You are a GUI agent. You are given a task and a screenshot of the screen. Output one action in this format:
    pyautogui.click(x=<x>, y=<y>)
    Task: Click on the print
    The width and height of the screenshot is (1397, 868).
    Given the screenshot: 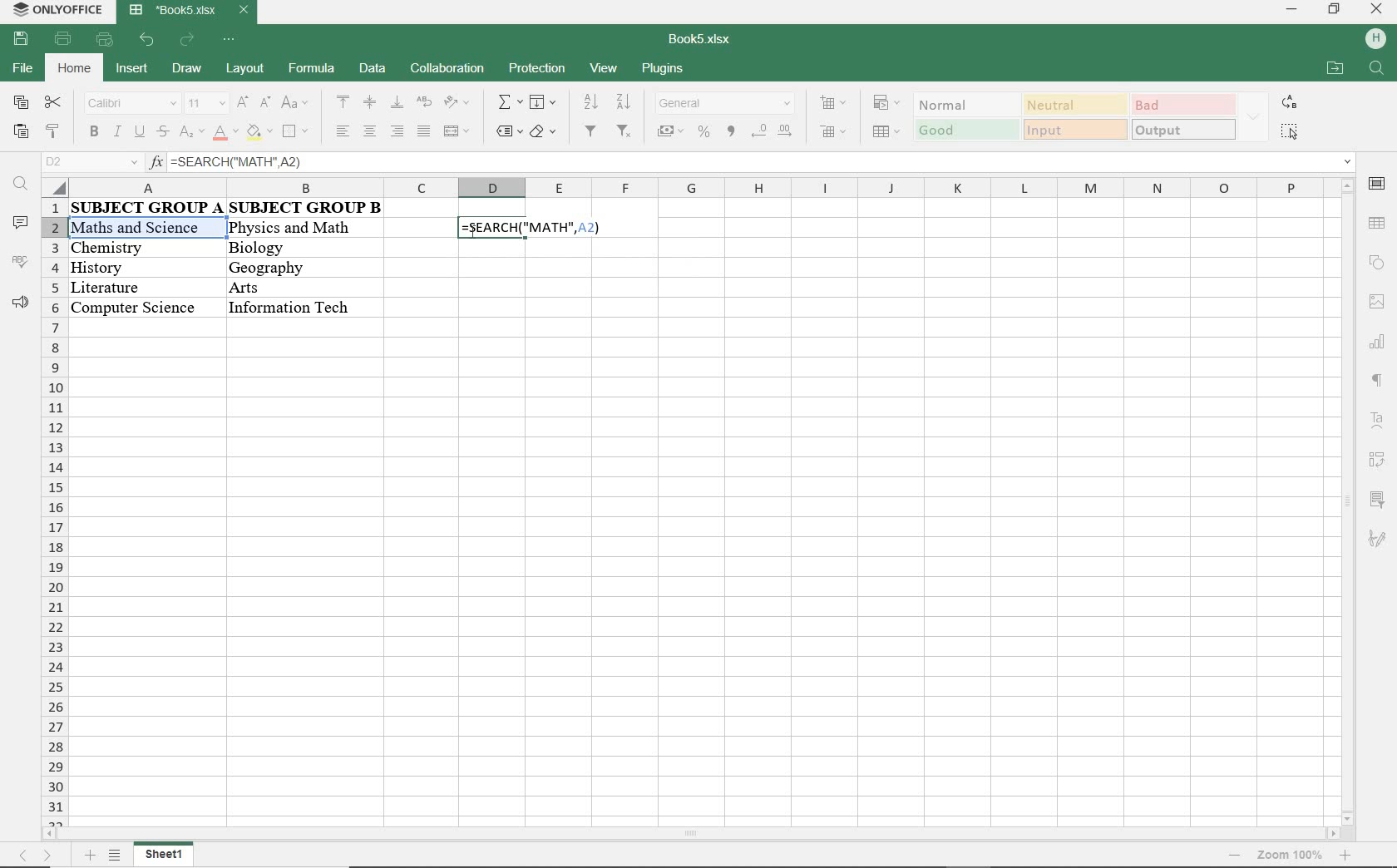 What is the action you would take?
    pyautogui.click(x=61, y=40)
    